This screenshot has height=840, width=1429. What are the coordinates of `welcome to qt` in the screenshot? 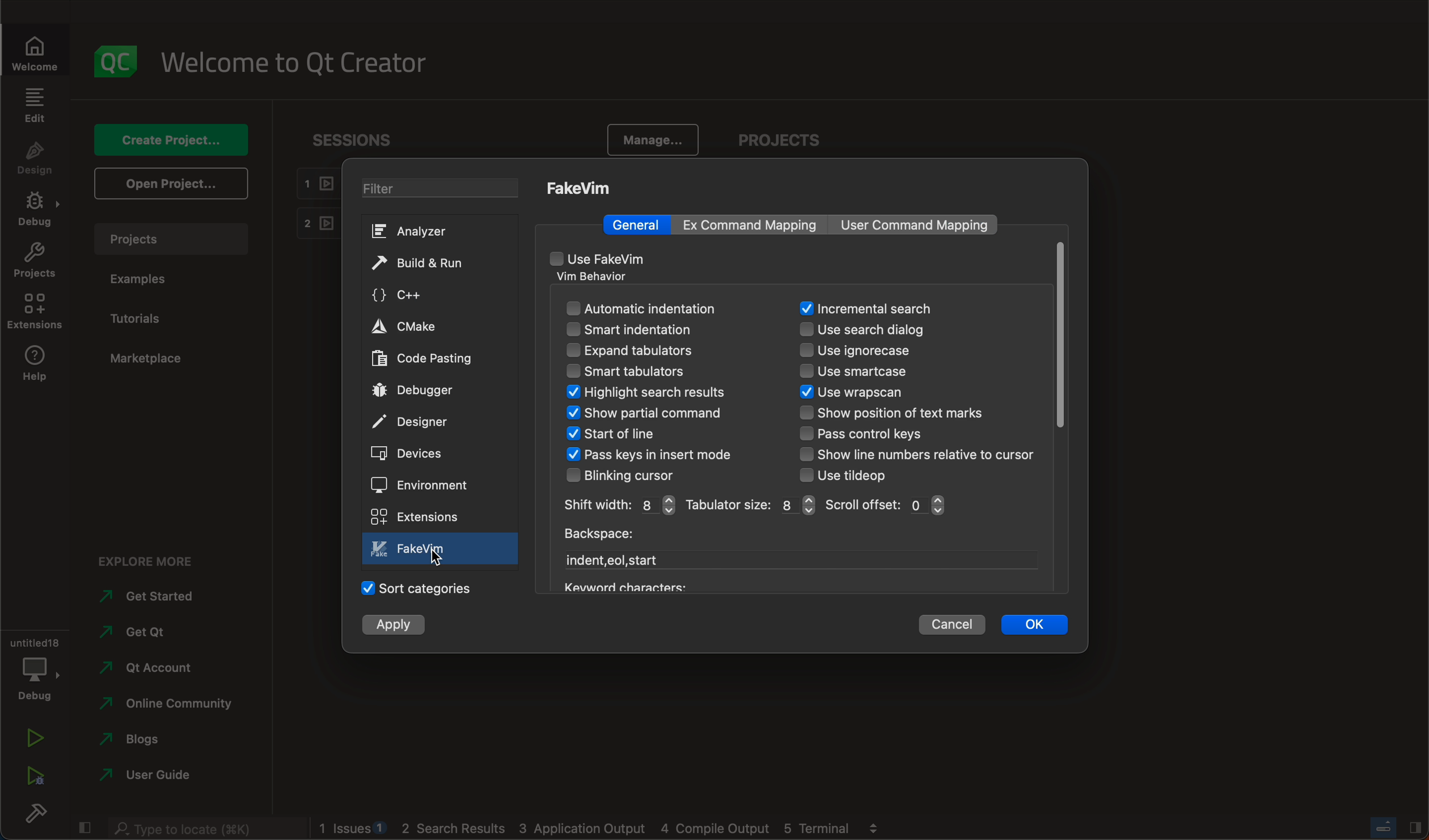 It's located at (301, 63).